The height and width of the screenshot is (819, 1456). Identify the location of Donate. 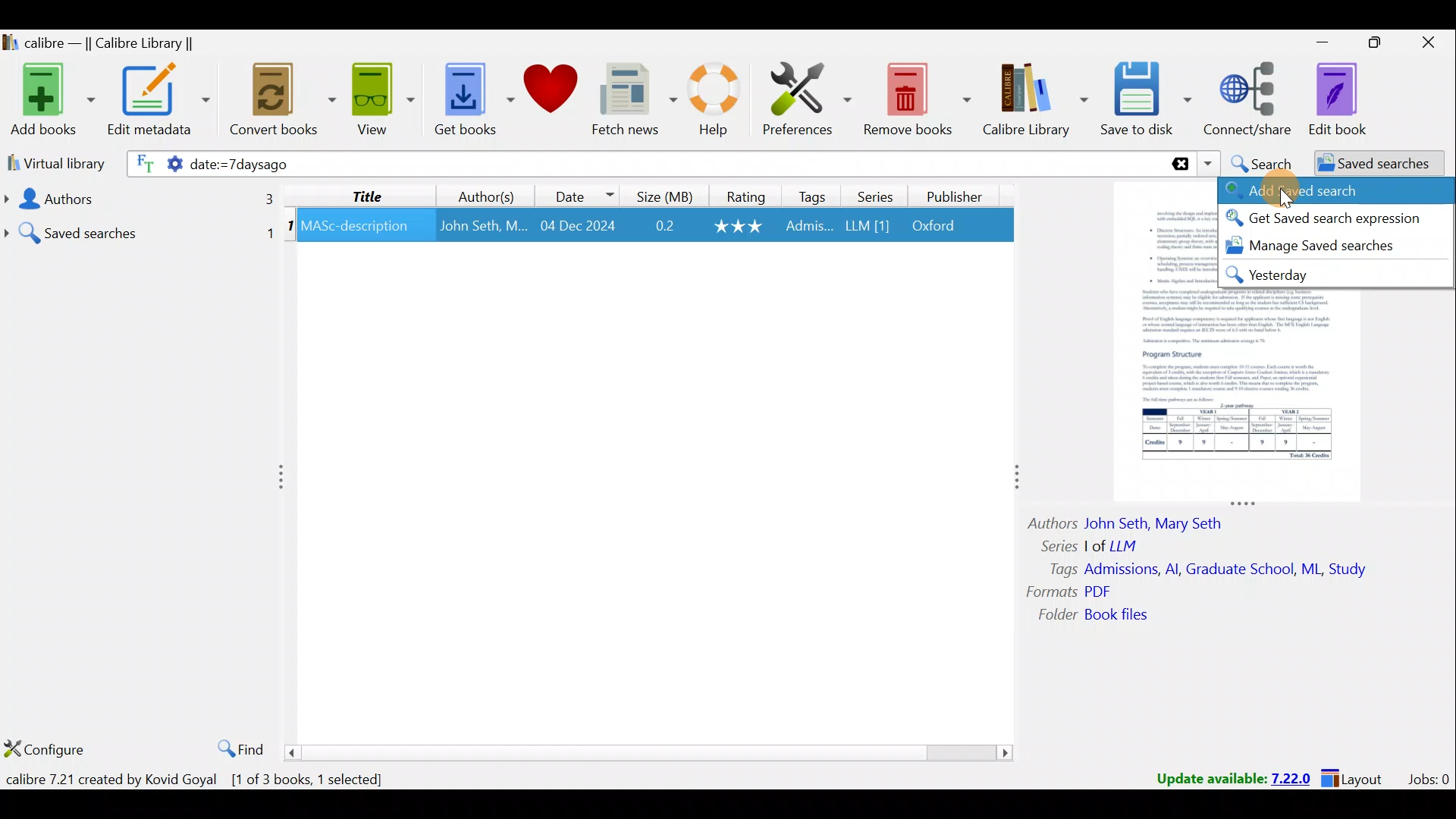
(550, 91).